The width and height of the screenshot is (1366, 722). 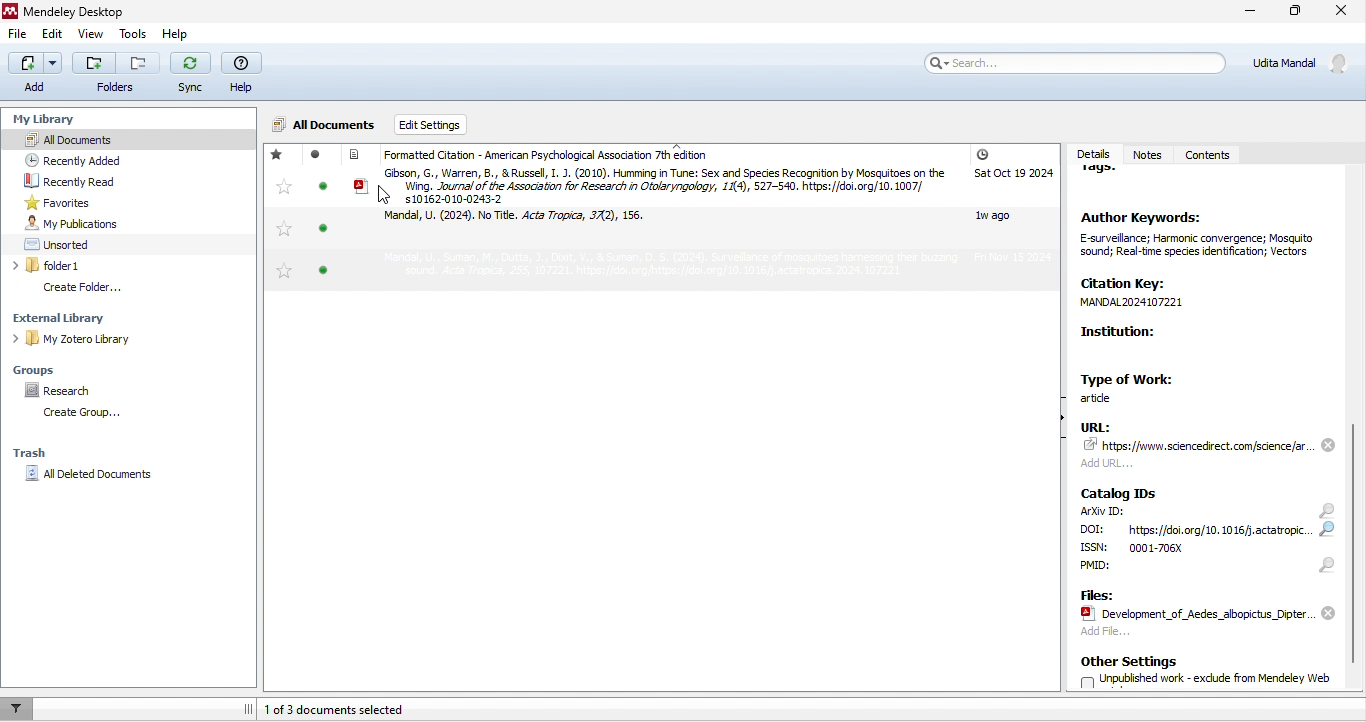 I want to click on trash, so click(x=43, y=450).